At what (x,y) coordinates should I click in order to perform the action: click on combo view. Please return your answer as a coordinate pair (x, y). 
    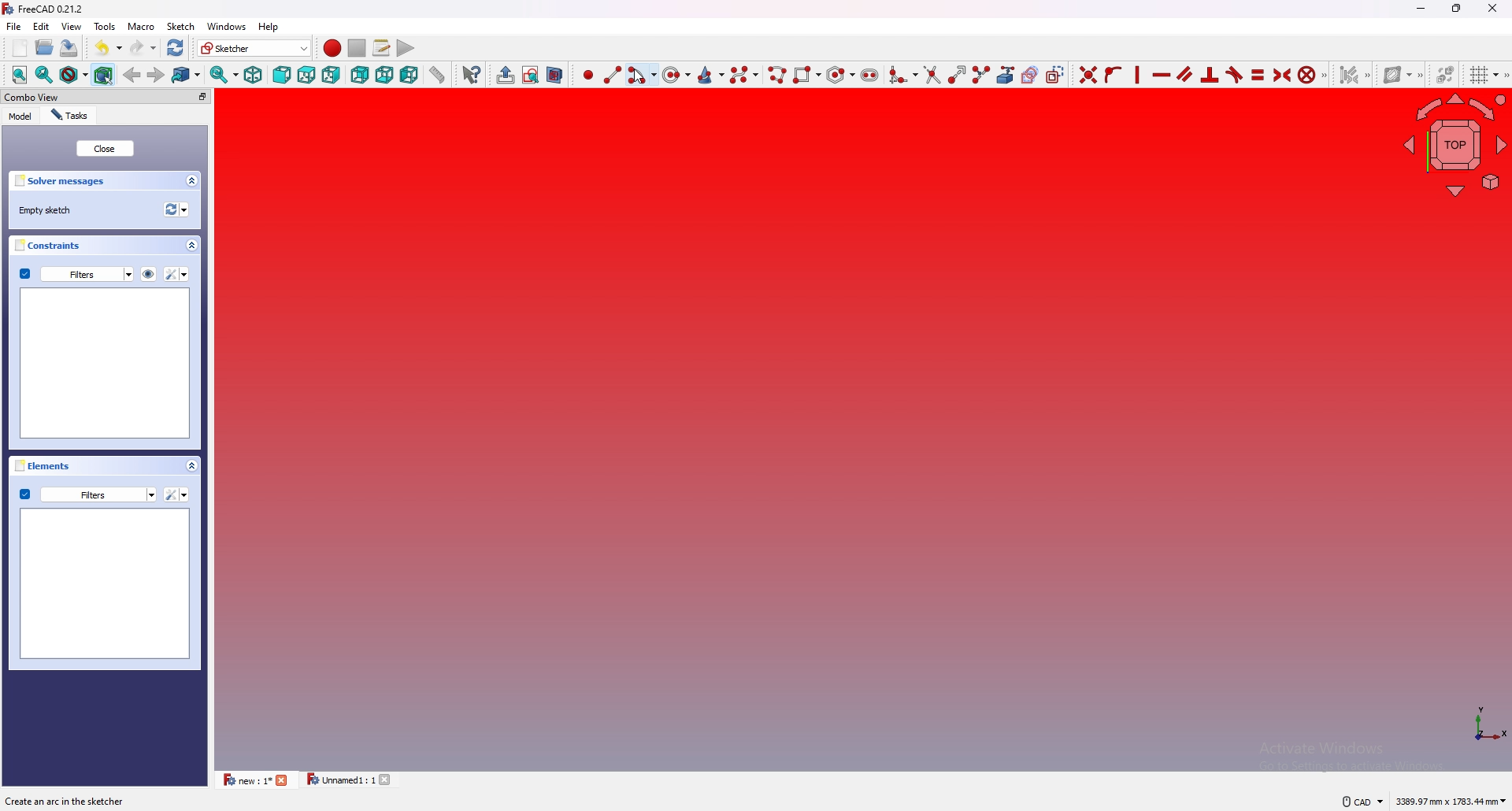
    Looking at the image, I should click on (69, 97).